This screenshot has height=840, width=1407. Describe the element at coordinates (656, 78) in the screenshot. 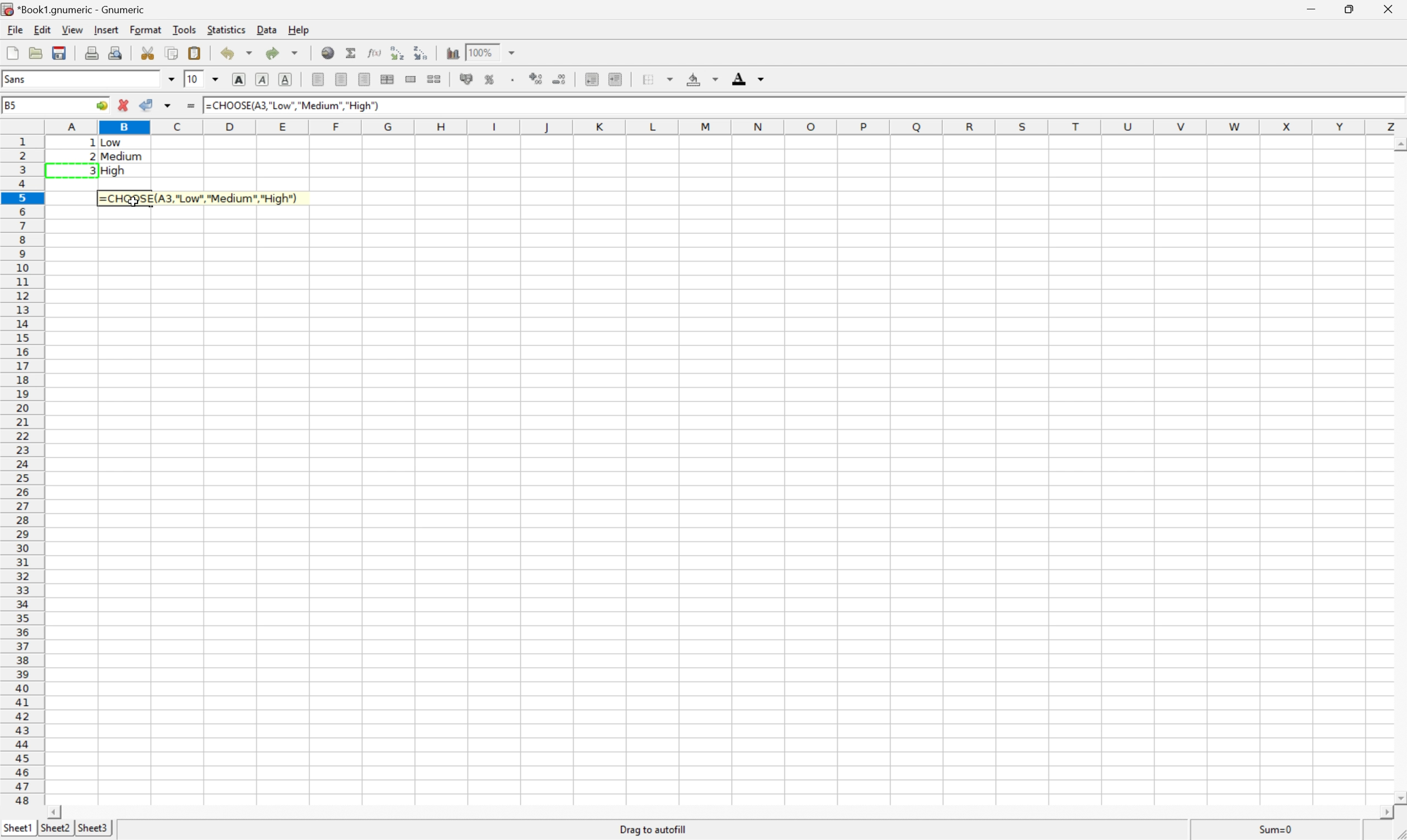

I see `Borders` at that location.